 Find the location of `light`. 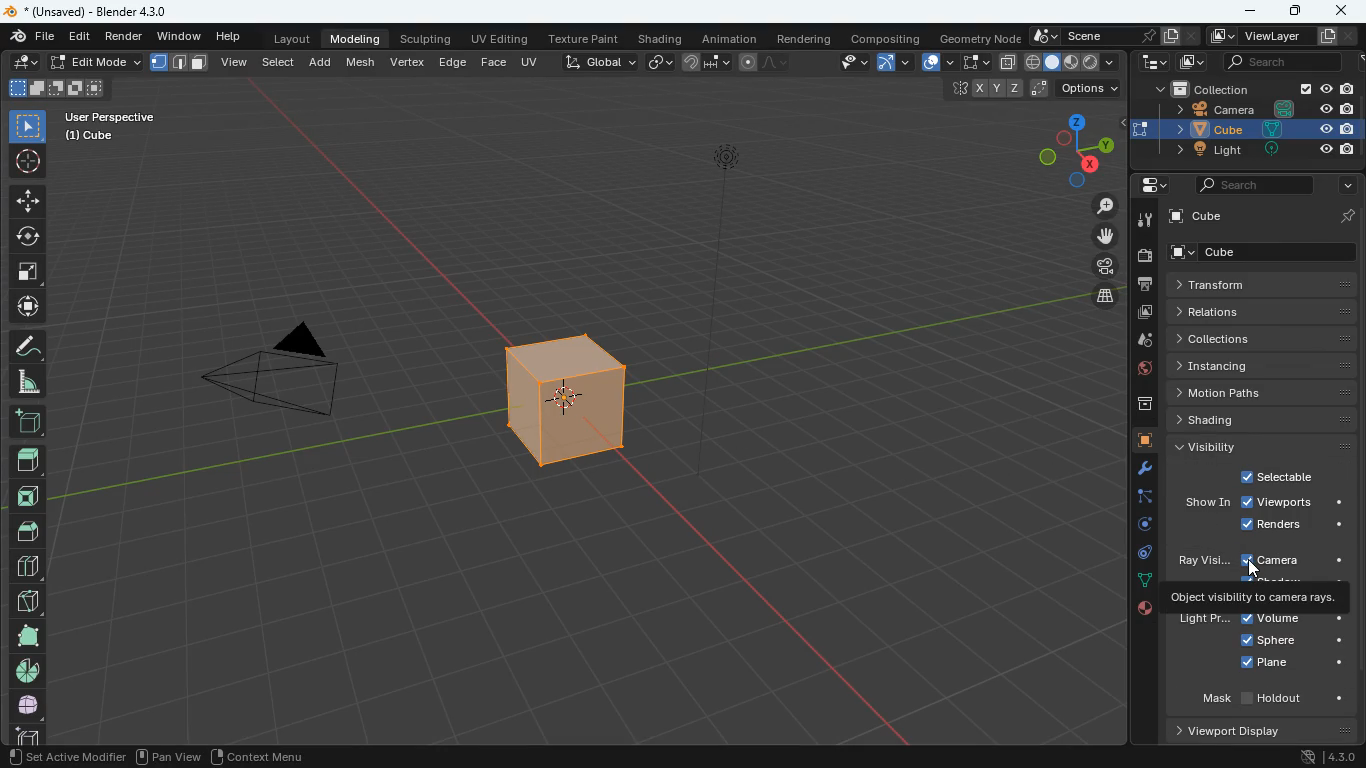

light is located at coordinates (750, 267).